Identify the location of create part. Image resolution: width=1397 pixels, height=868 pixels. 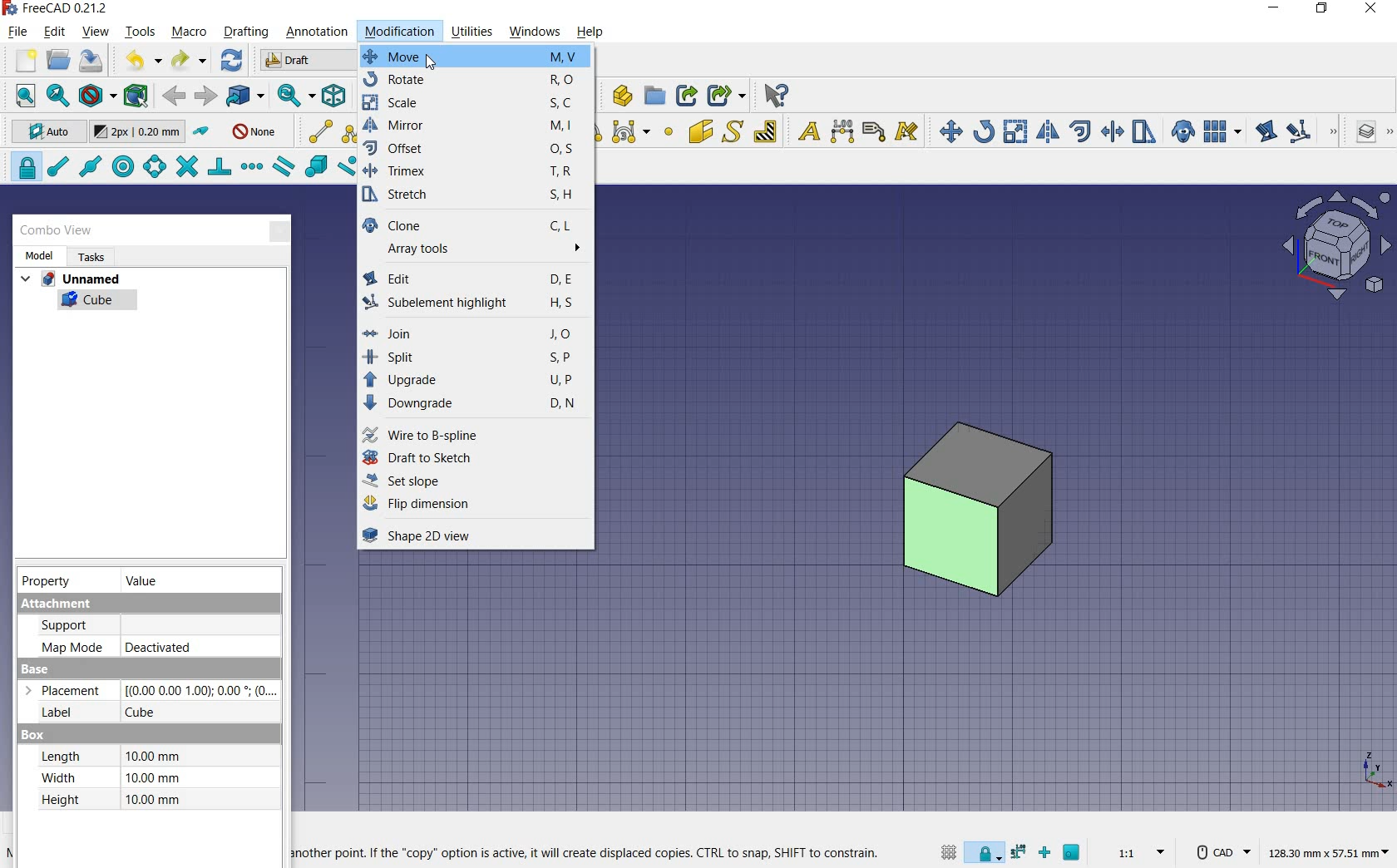
(618, 95).